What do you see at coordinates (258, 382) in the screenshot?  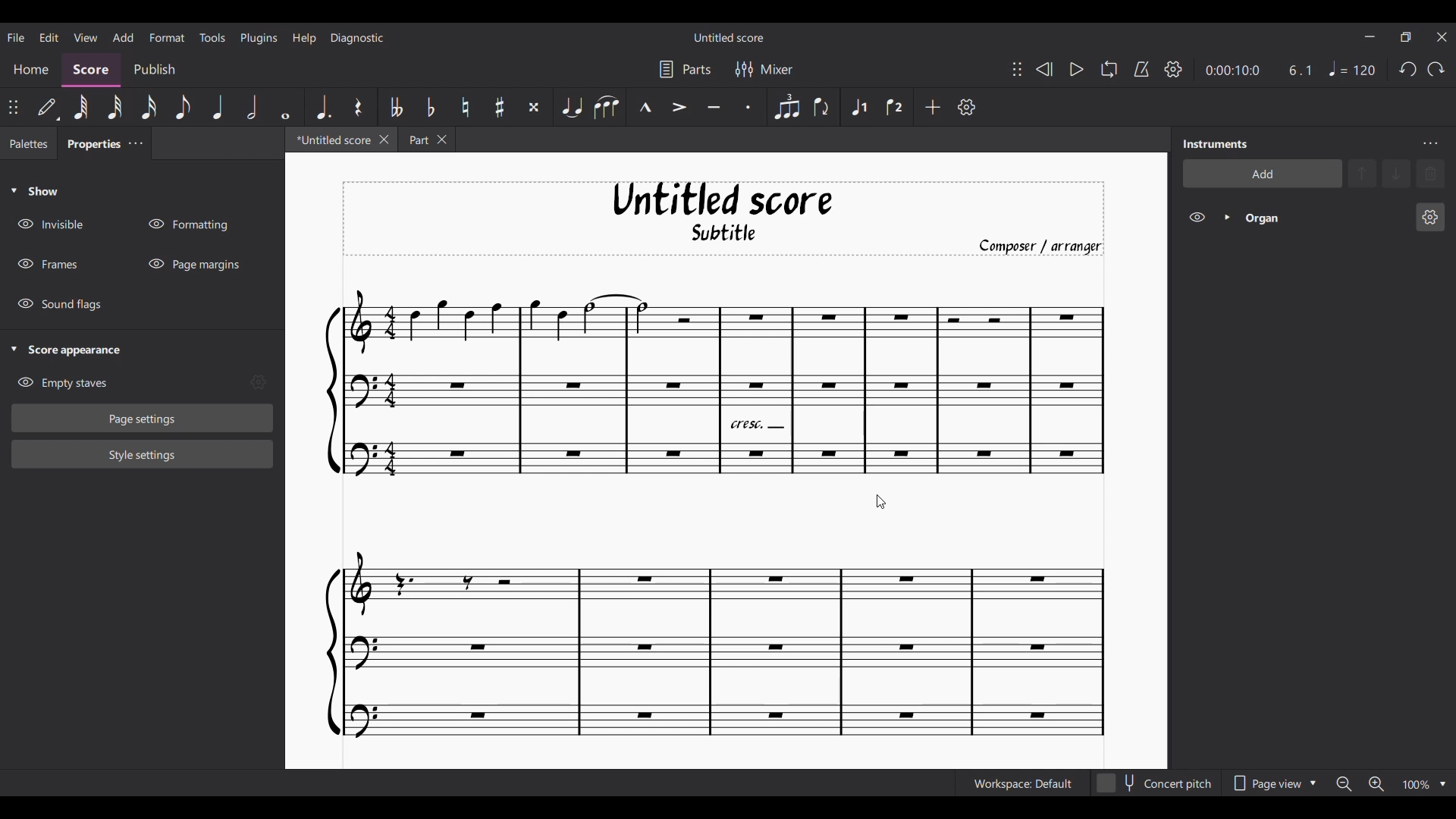 I see `Empty stave settings` at bounding box center [258, 382].